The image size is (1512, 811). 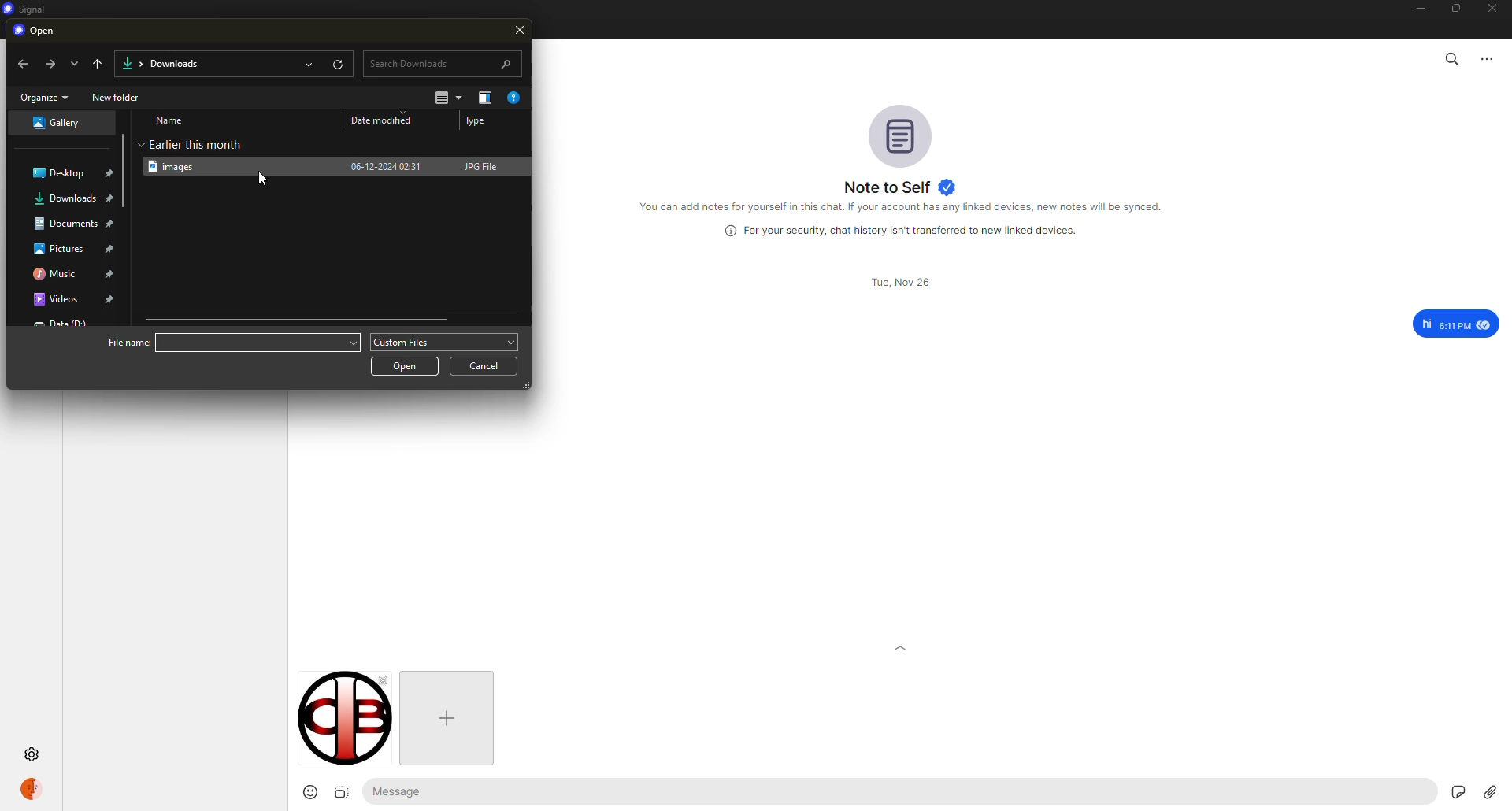 What do you see at coordinates (350, 341) in the screenshot?
I see `drop down` at bounding box center [350, 341].